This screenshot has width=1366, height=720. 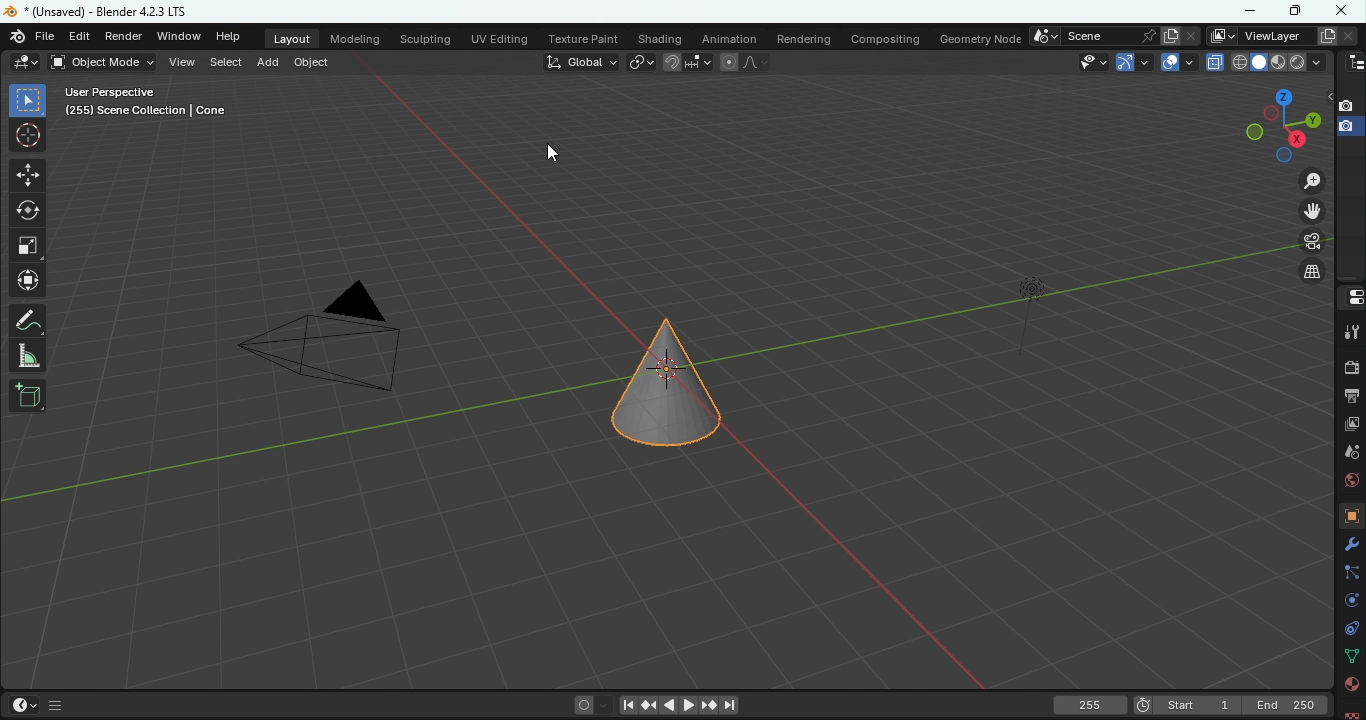 I want to click on Minimize, so click(x=1247, y=11).